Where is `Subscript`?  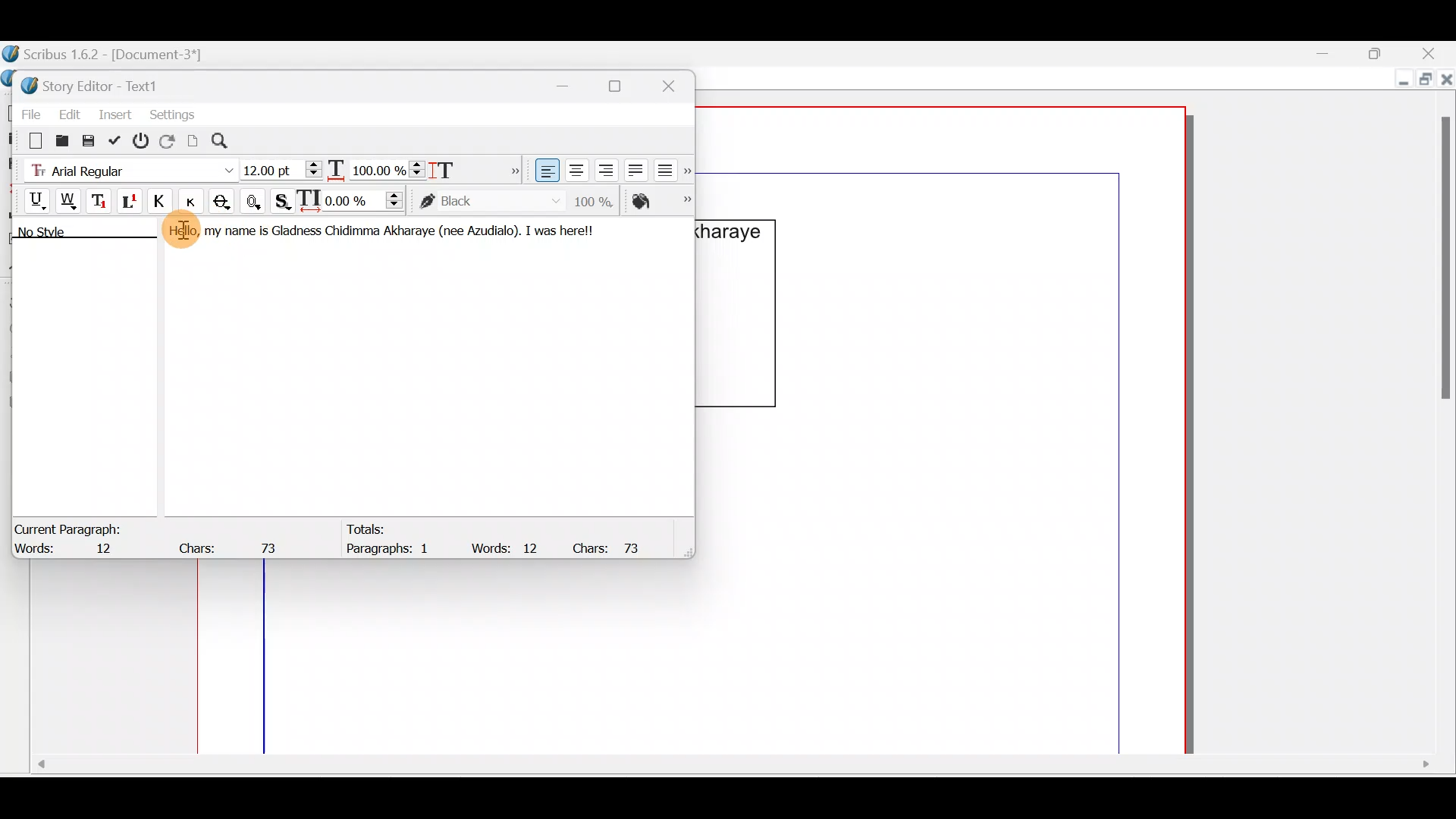 Subscript is located at coordinates (101, 199).